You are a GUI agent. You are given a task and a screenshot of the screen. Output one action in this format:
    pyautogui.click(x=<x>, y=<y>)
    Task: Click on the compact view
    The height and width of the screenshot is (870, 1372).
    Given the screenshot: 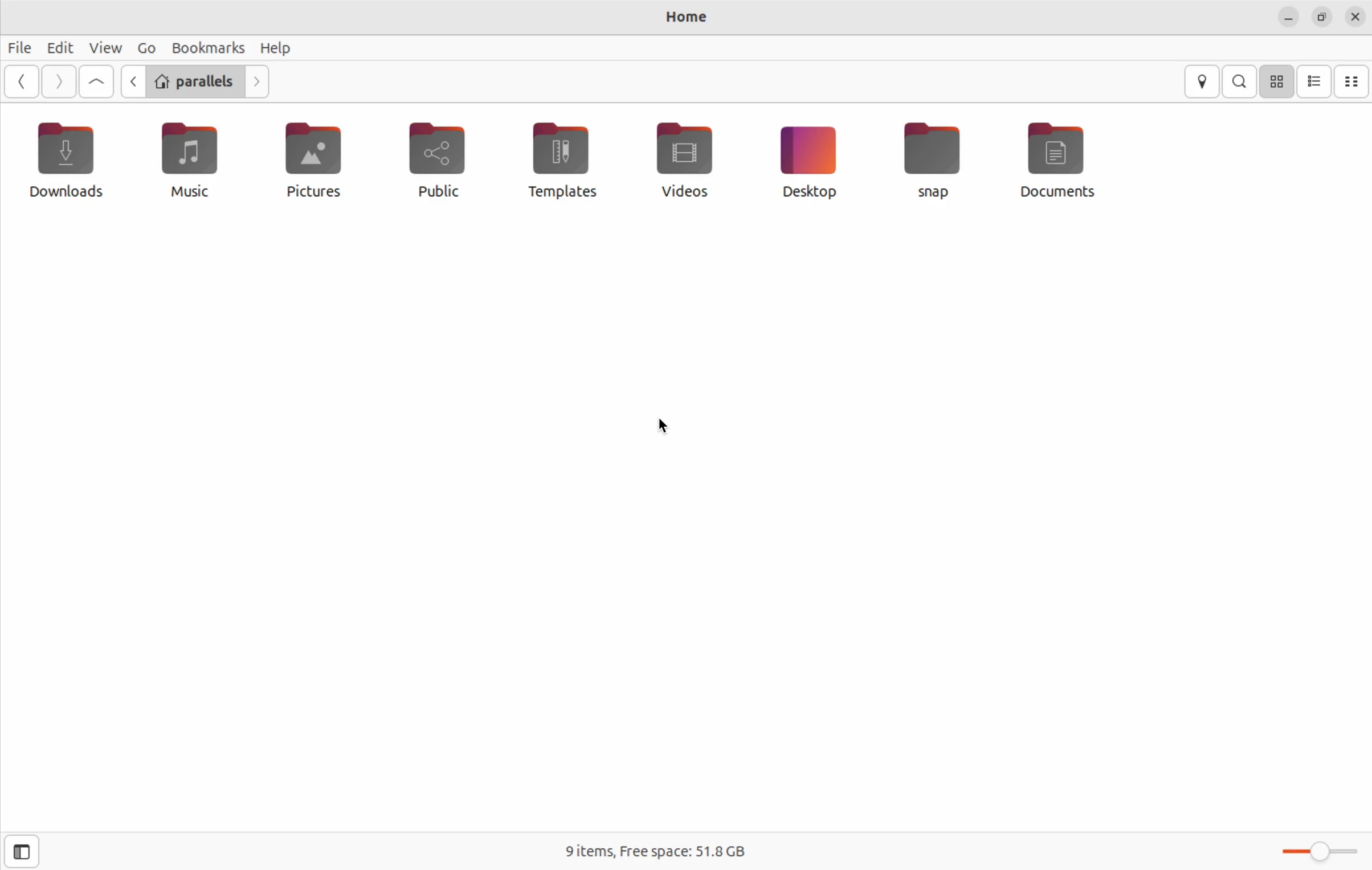 What is the action you would take?
    pyautogui.click(x=1353, y=82)
    